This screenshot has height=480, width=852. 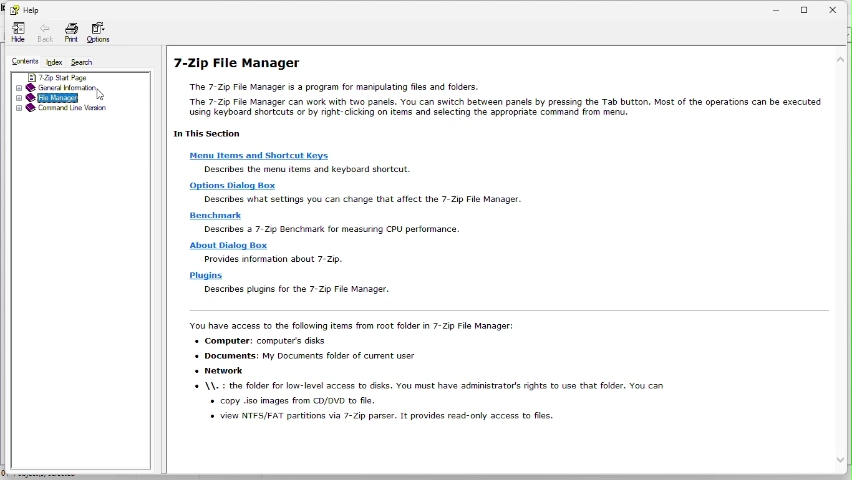 What do you see at coordinates (777, 8) in the screenshot?
I see `Minimize` at bounding box center [777, 8].